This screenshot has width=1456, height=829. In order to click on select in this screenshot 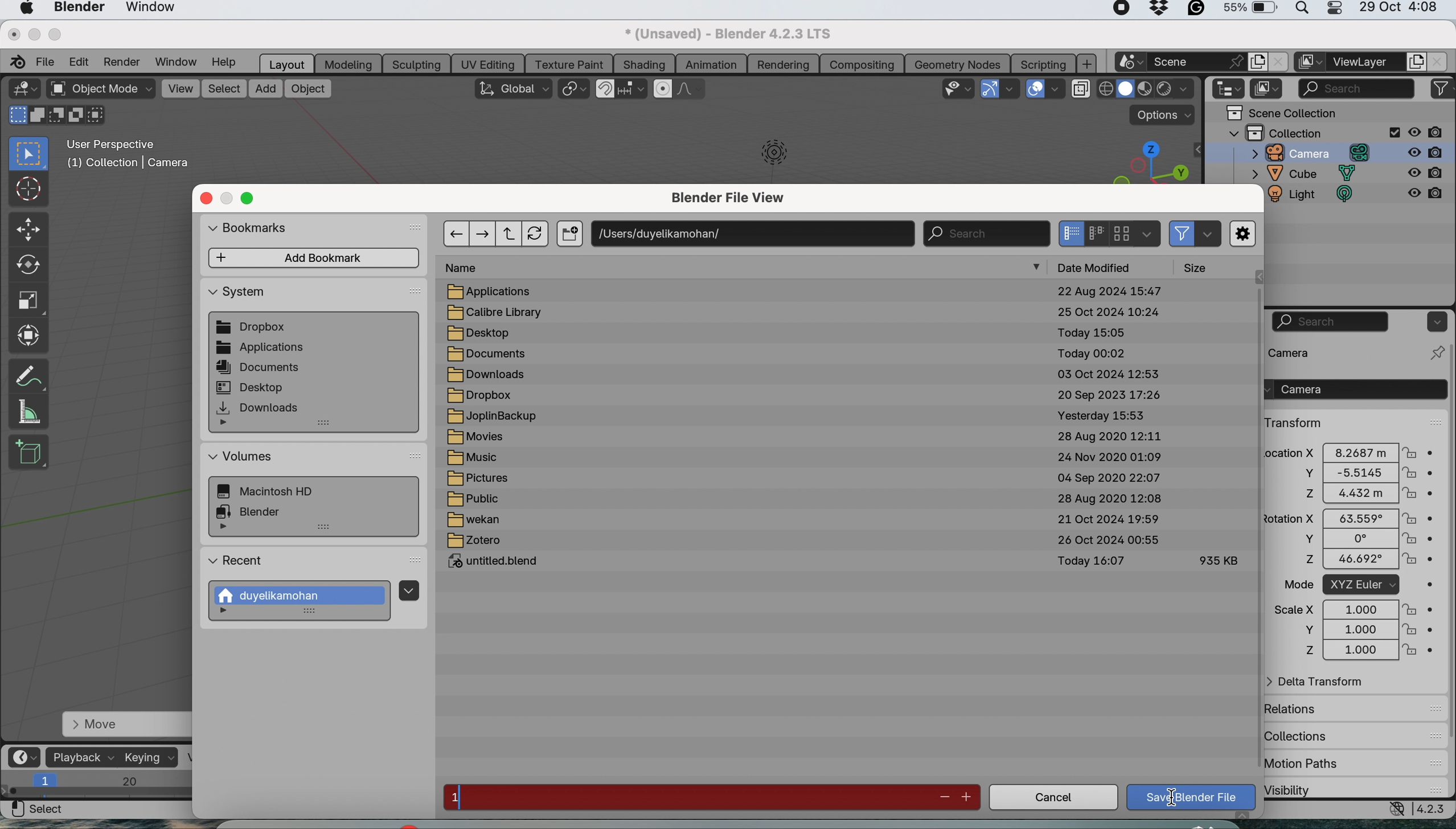, I will do `click(37, 809)`.